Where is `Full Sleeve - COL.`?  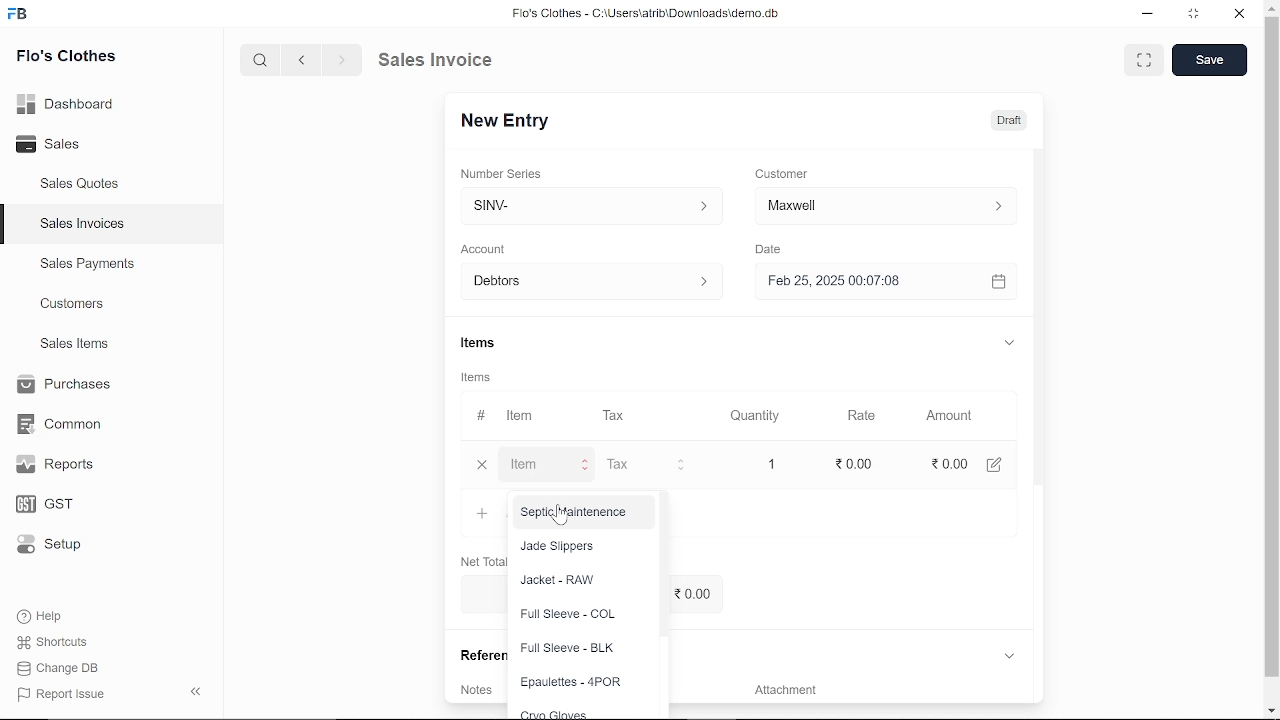
Full Sleeve - COL. is located at coordinates (569, 614).